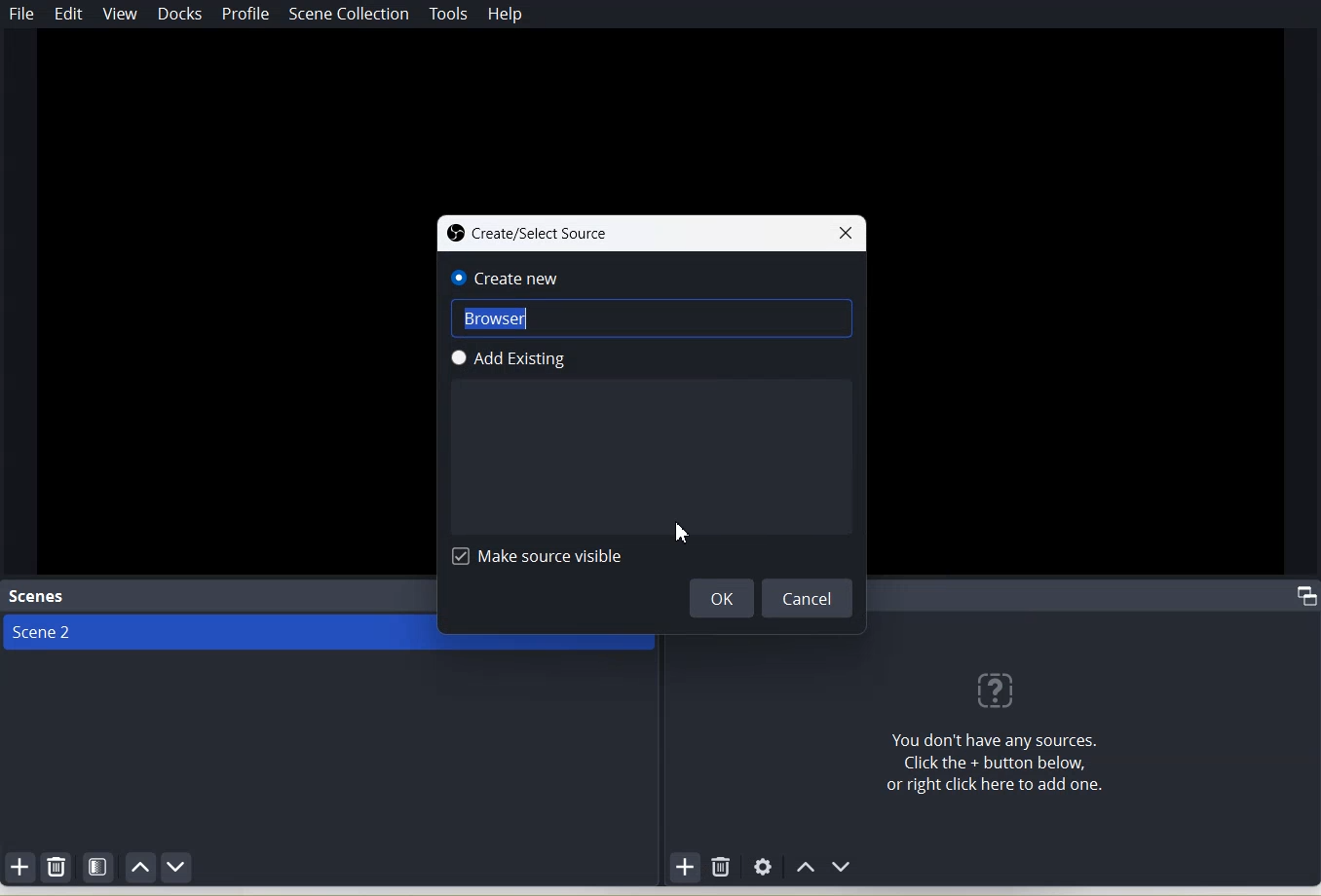 The image size is (1321, 896). Describe the element at coordinates (804, 867) in the screenshot. I see `Move Source up` at that location.